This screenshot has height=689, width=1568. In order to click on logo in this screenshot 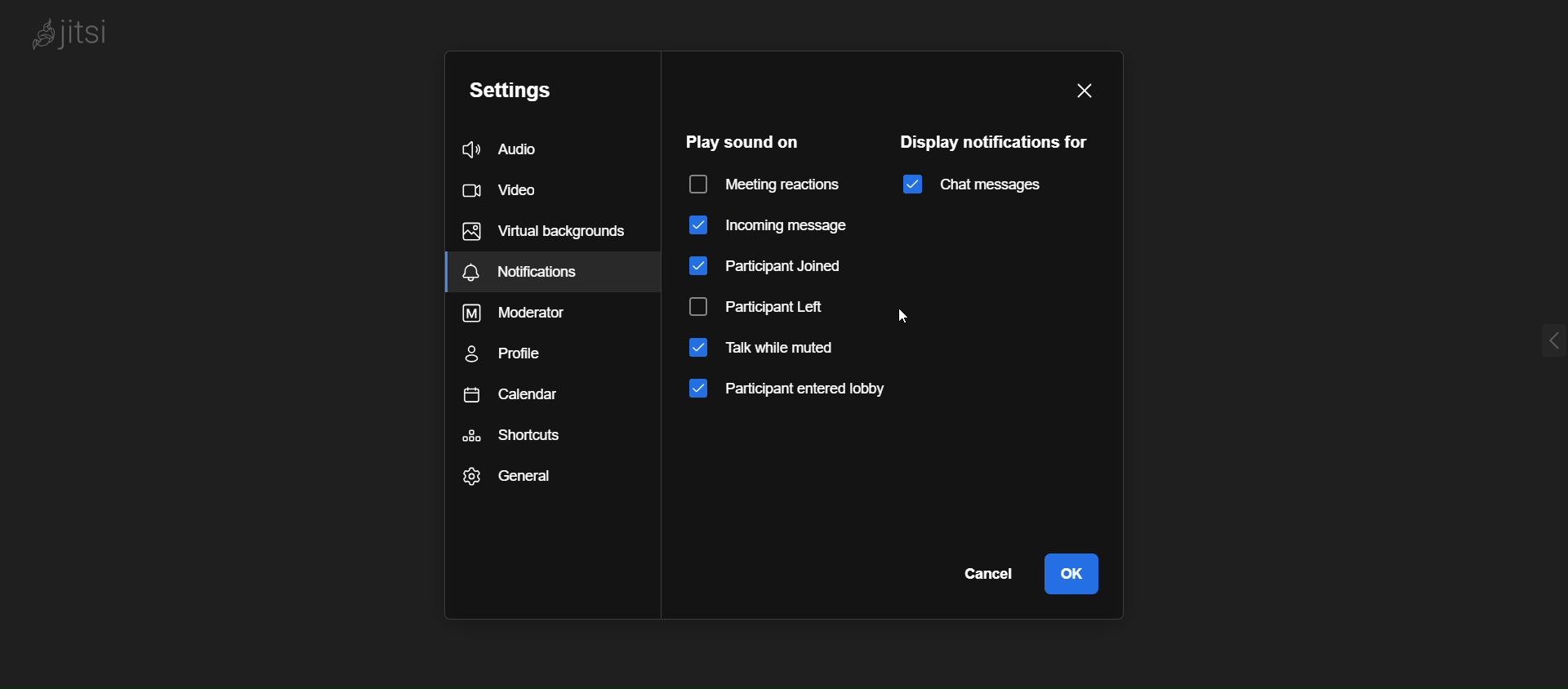, I will do `click(80, 36)`.